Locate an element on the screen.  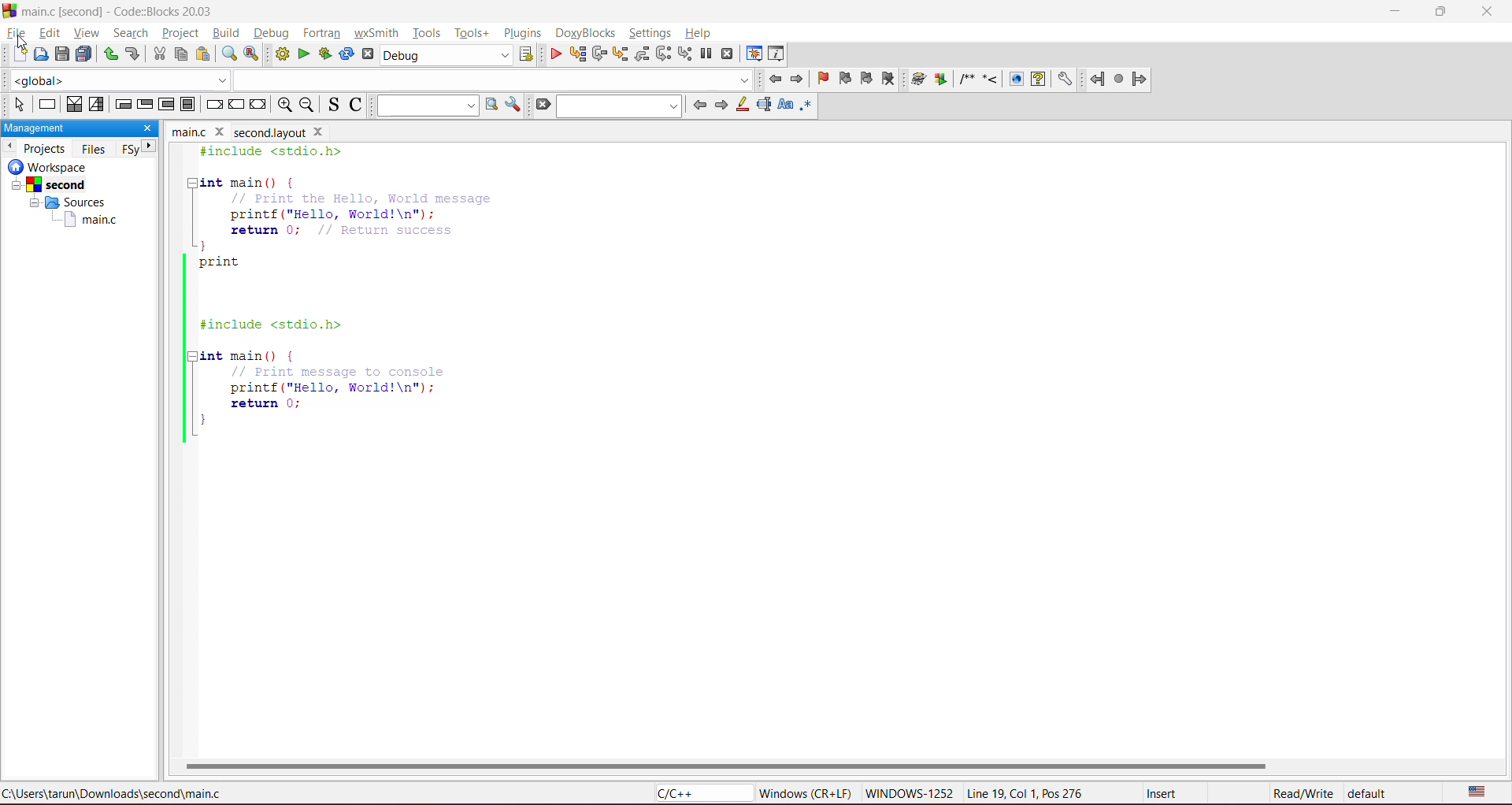
fortran is located at coordinates (322, 33).